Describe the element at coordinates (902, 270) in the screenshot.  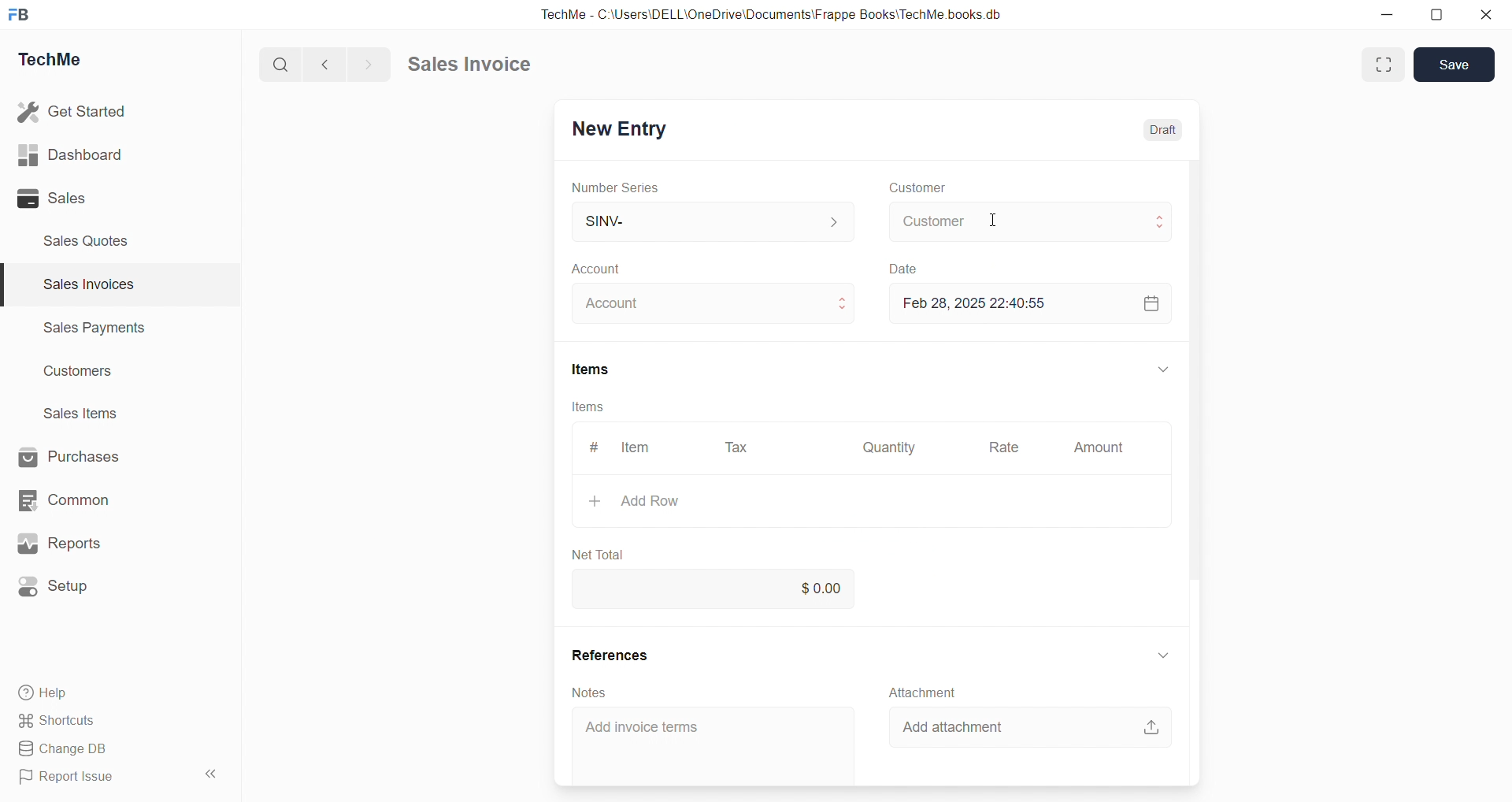
I see `Date` at that location.